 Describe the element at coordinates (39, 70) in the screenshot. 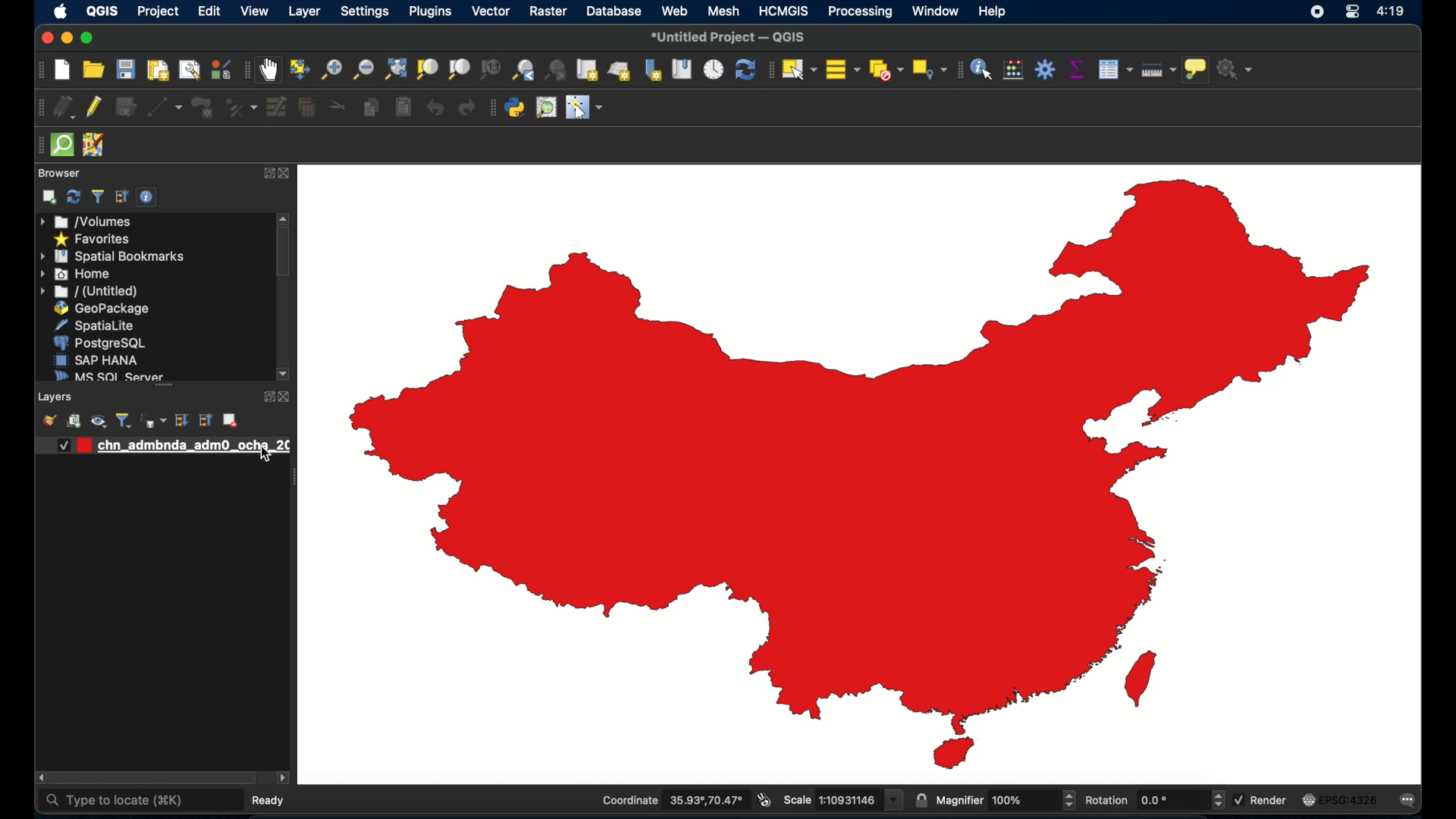

I see `project toolbar` at that location.